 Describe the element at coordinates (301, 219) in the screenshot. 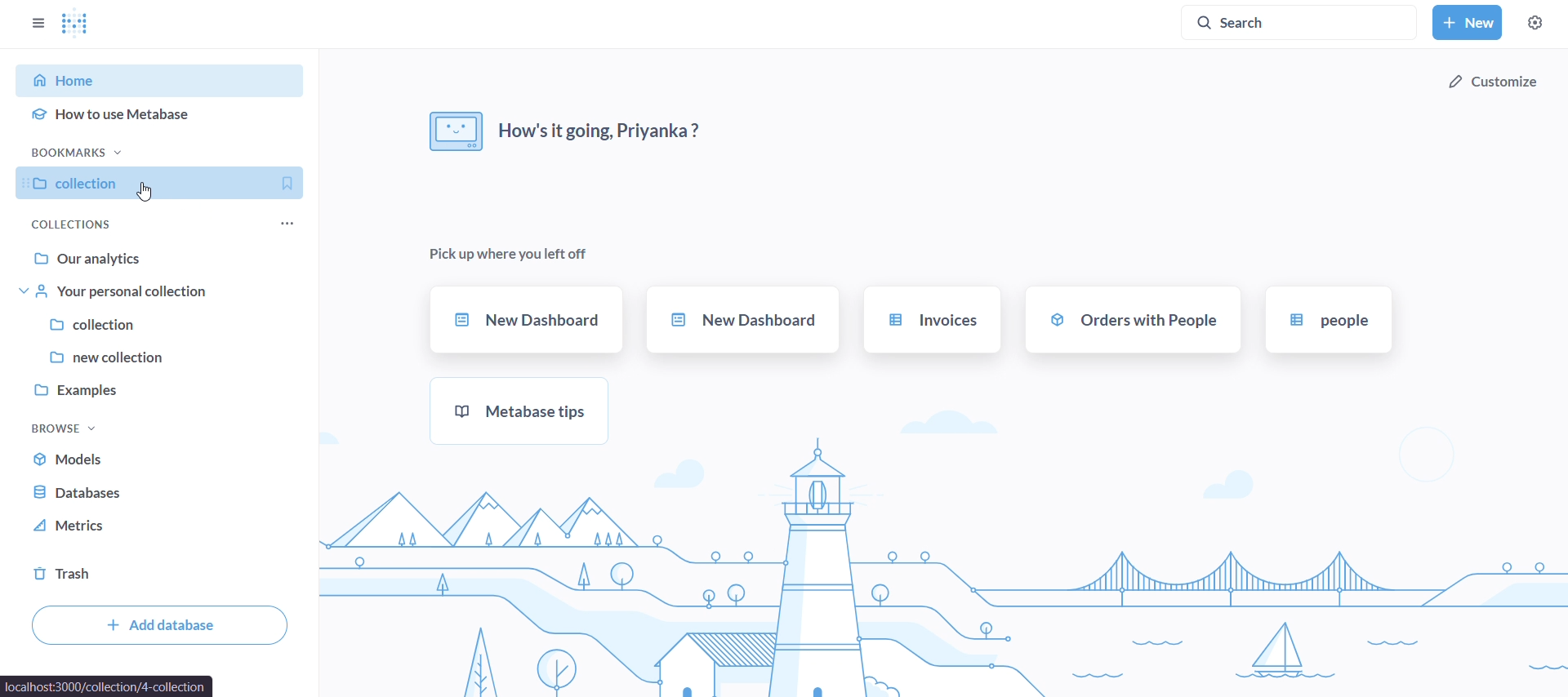

I see `collection  menu` at that location.